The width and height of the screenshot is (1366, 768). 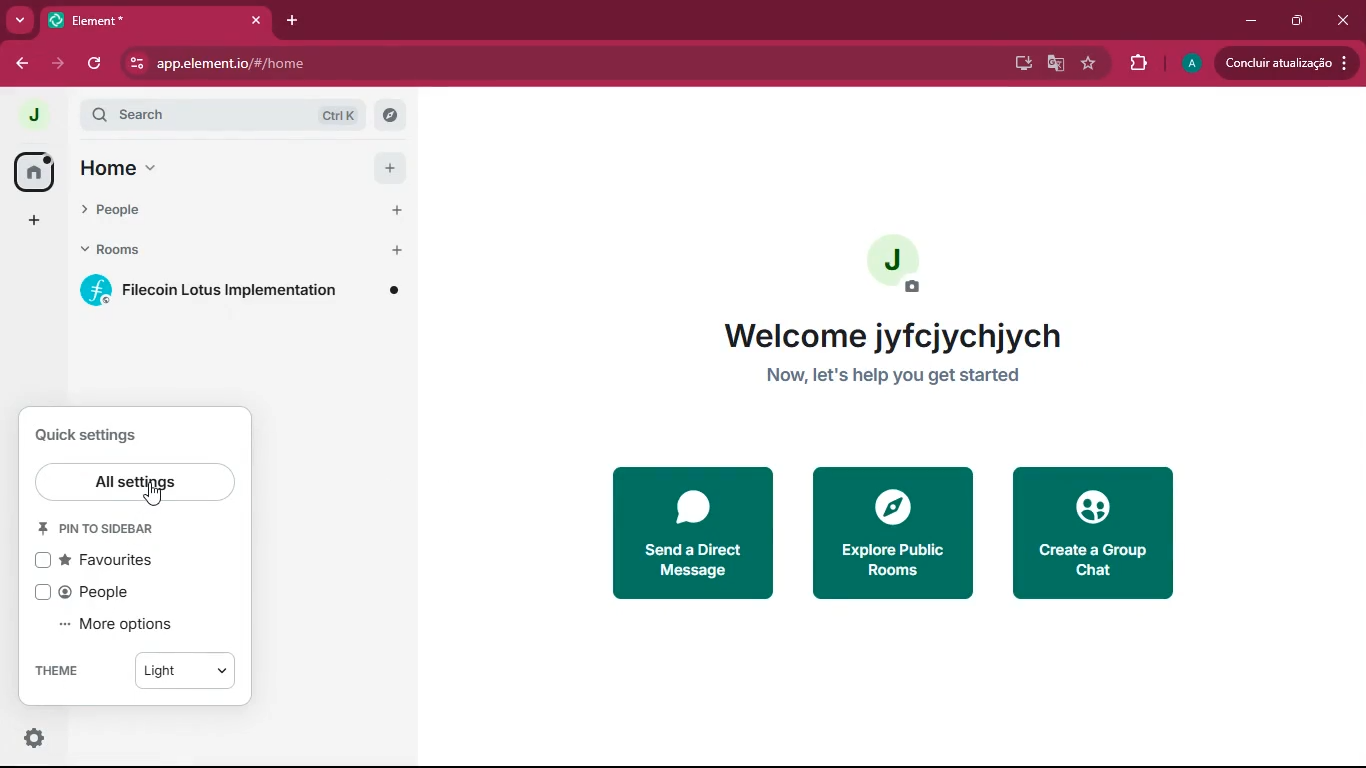 What do you see at coordinates (97, 592) in the screenshot?
I see `people` at bounding box center [97, 592].